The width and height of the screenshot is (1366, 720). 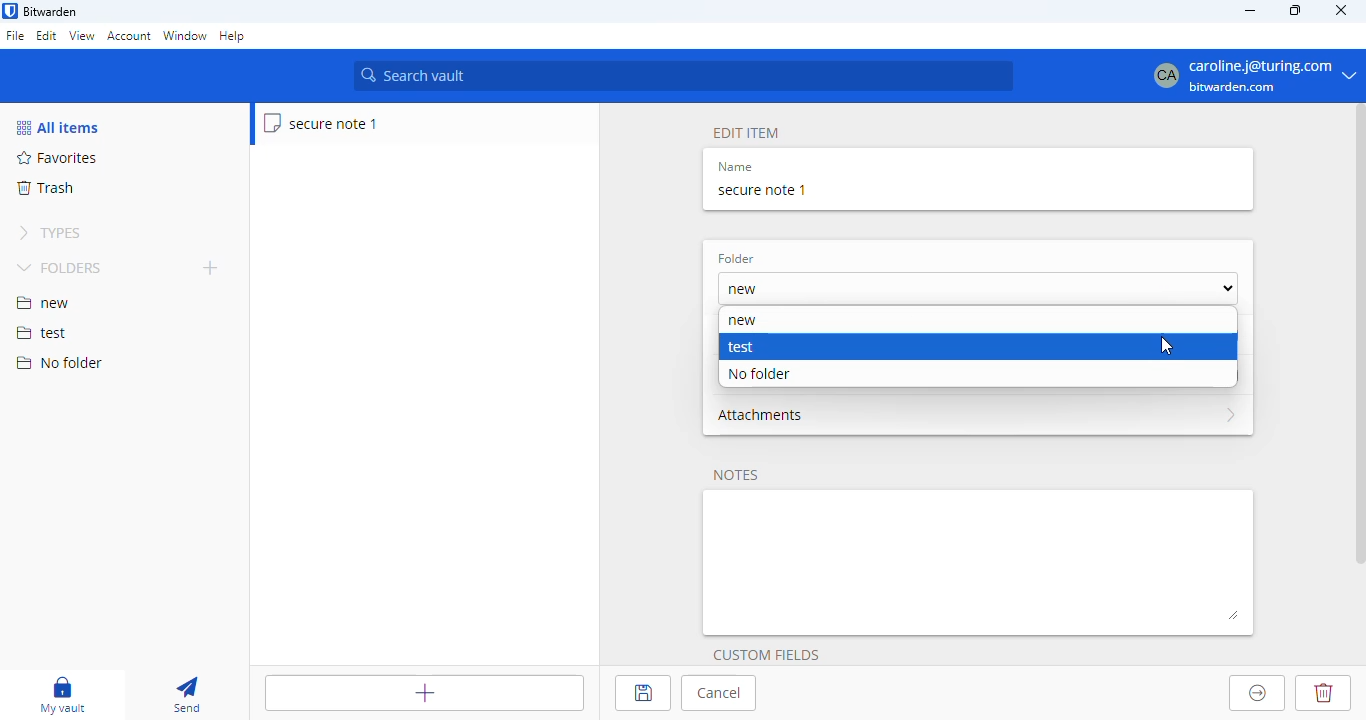 I want to click on trash, so click(x=44, y=188).